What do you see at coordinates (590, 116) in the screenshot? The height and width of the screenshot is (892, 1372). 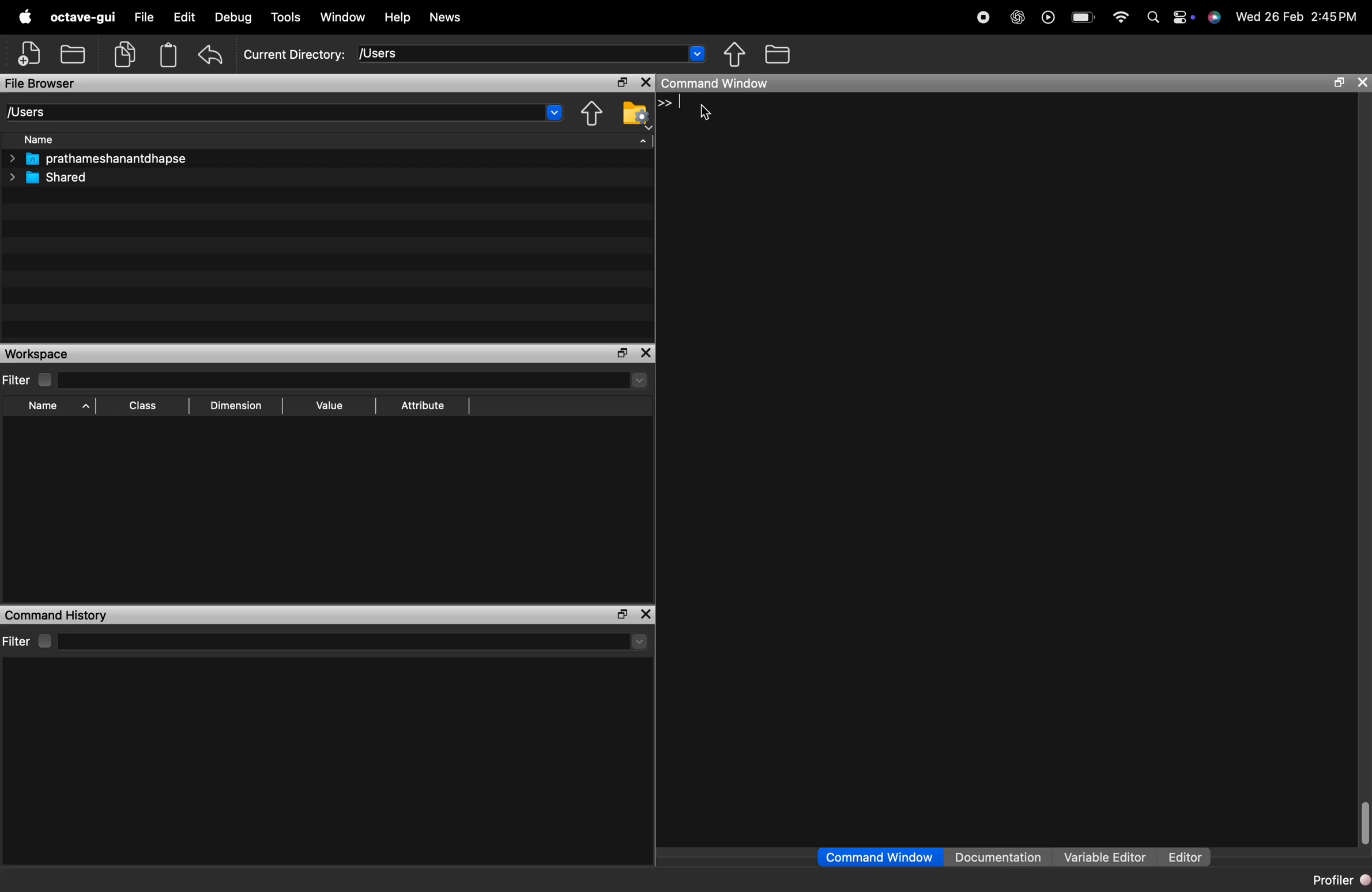 I see `move` at bounding box center [590, 116].